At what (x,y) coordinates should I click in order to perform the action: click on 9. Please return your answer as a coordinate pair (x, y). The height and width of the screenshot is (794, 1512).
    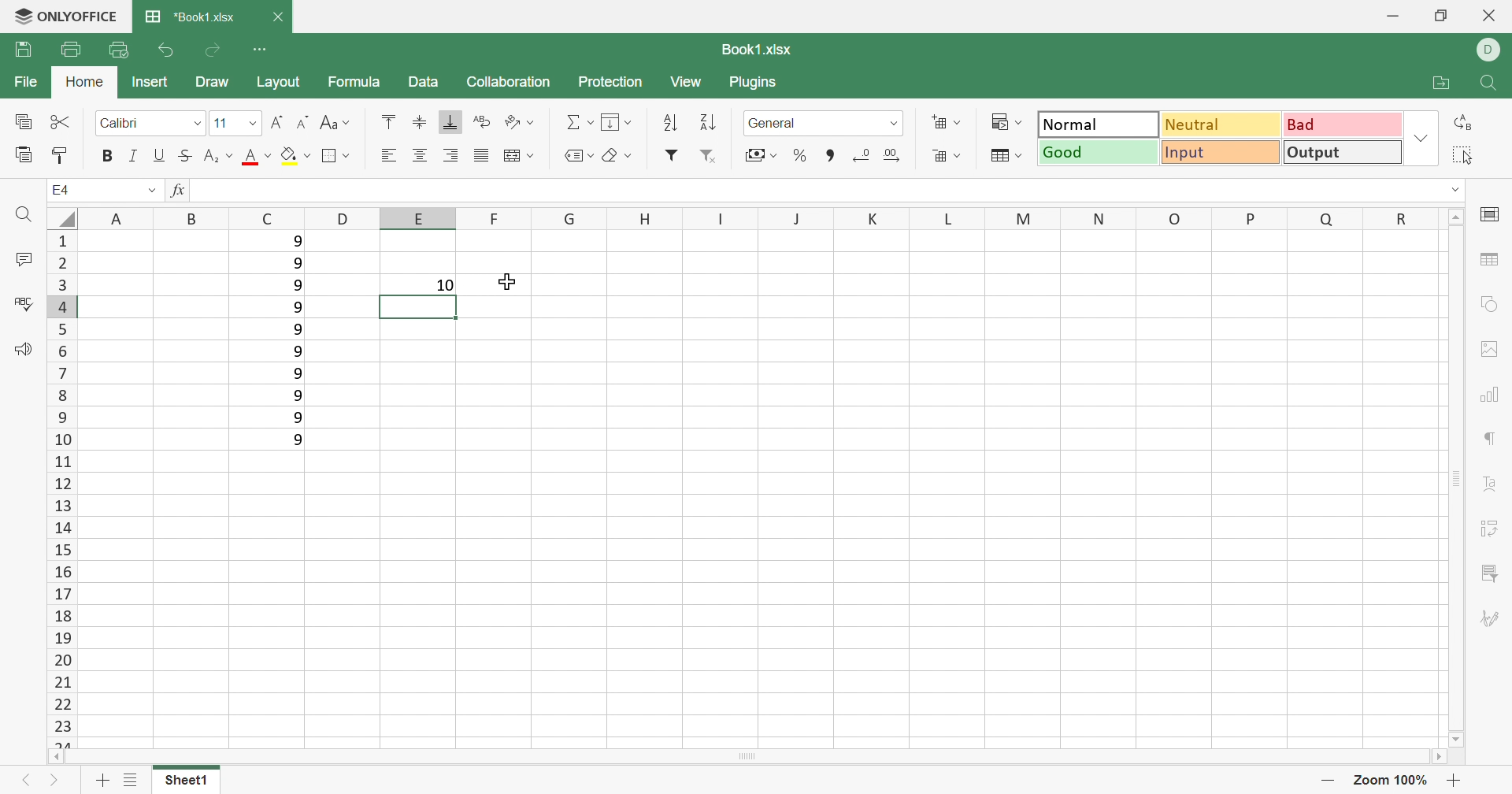
    Looking at the image, I should click on (297, 305).